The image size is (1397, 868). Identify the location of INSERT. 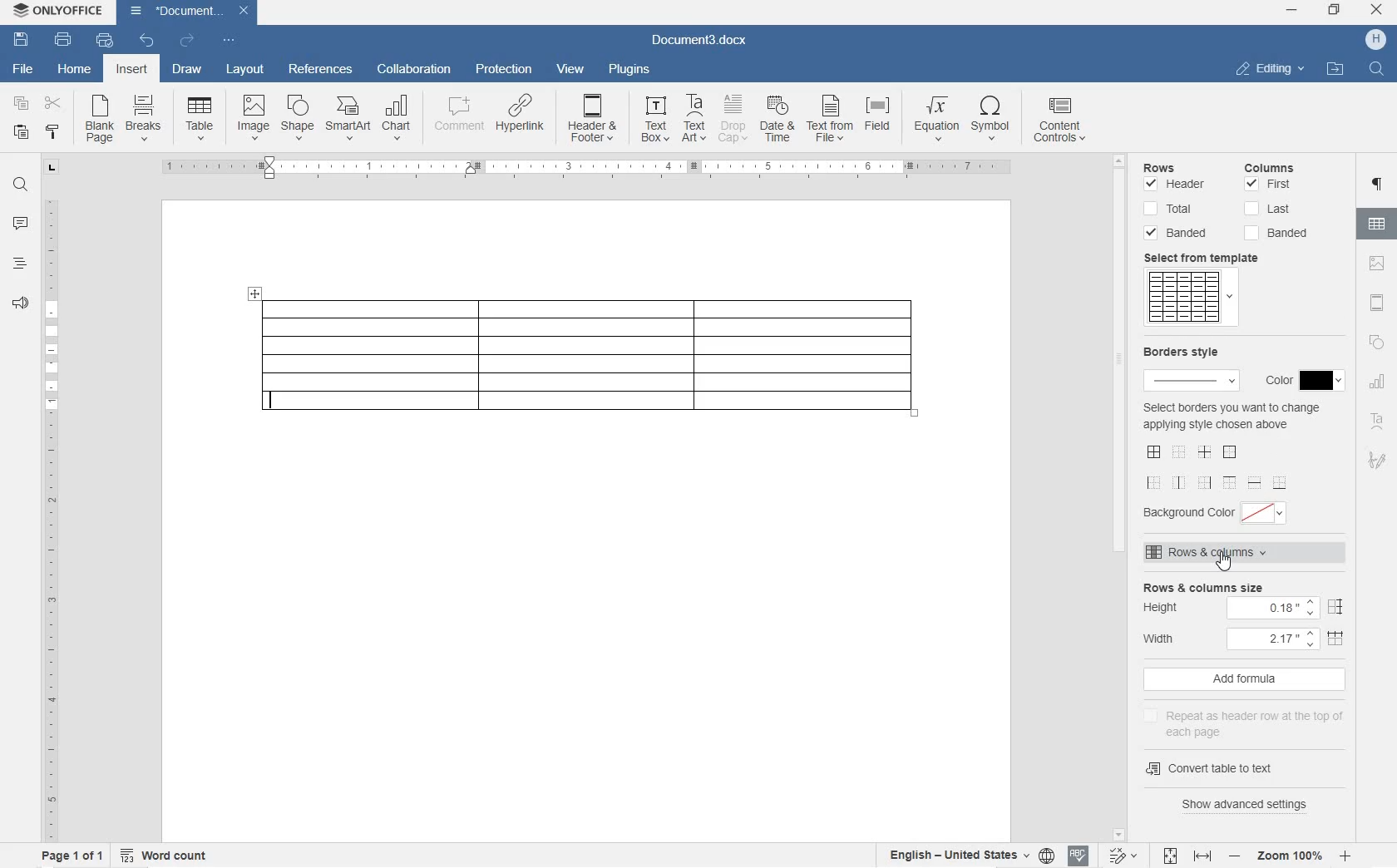
(131, 69).